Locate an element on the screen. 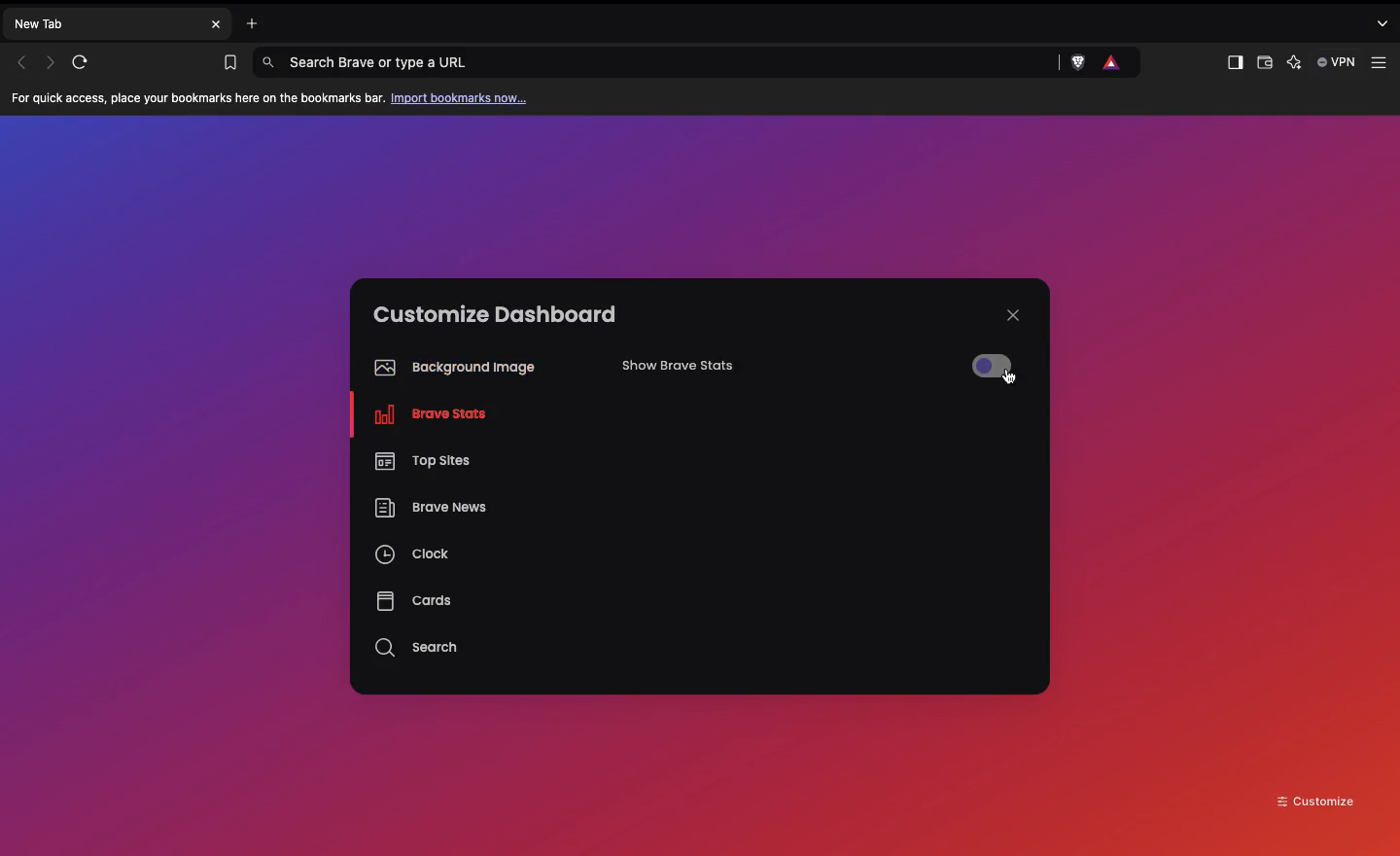  Next page is located at coordinates (52, 61).